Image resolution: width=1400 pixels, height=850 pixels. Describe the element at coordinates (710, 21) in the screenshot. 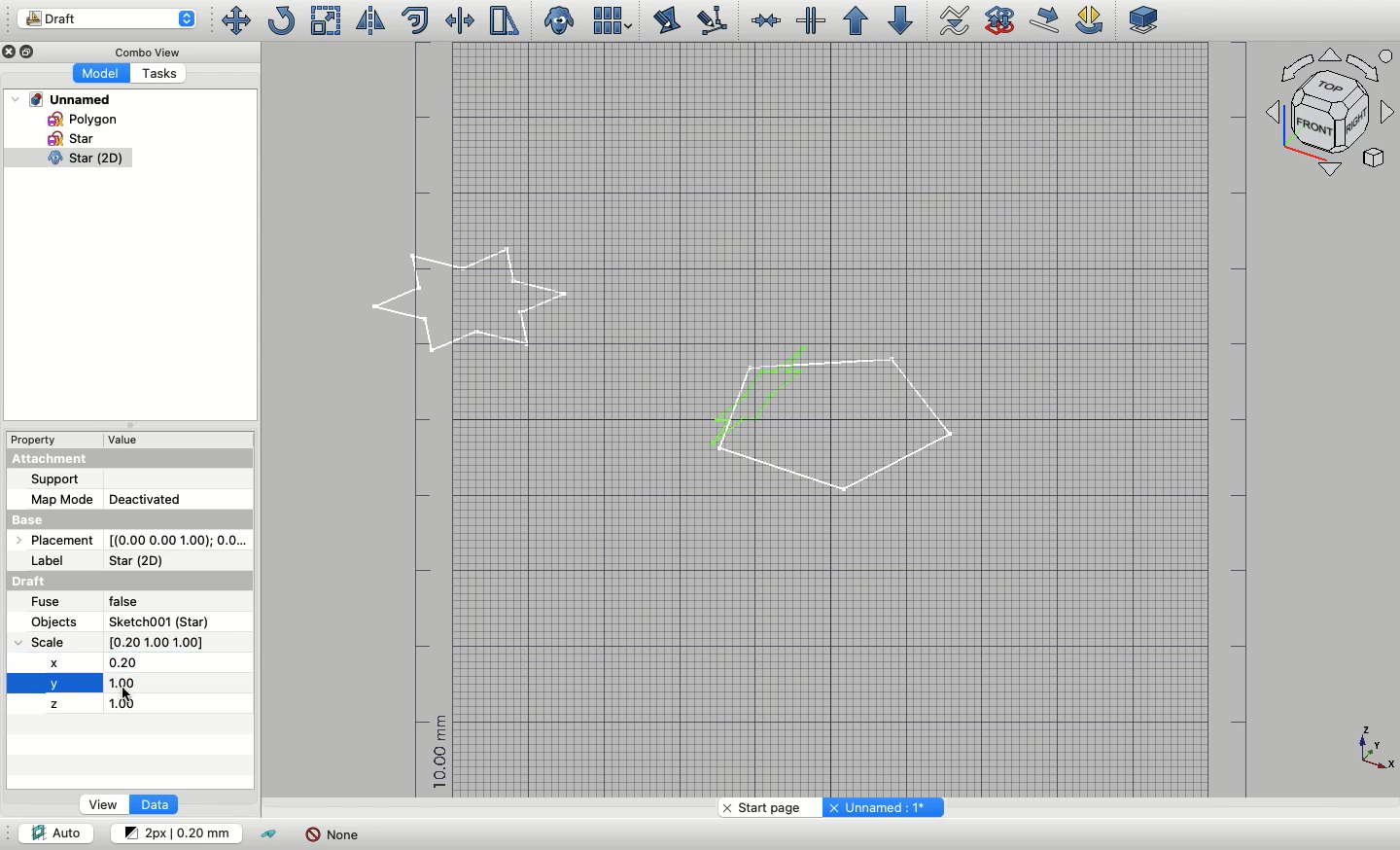

I see `Subelement highlight` at that location.